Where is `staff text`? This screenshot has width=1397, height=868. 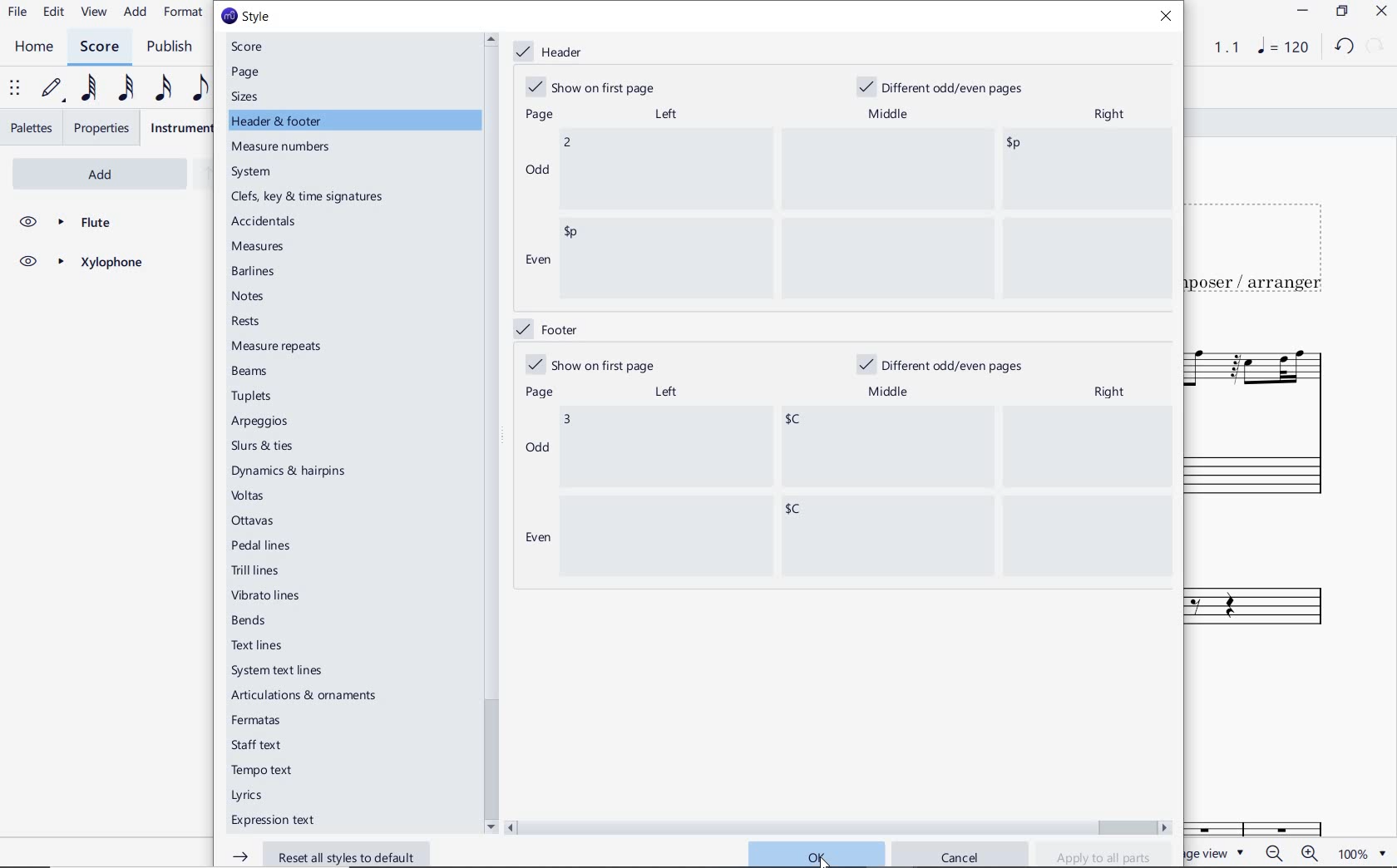 staff text is located at coordinates (258, 745).